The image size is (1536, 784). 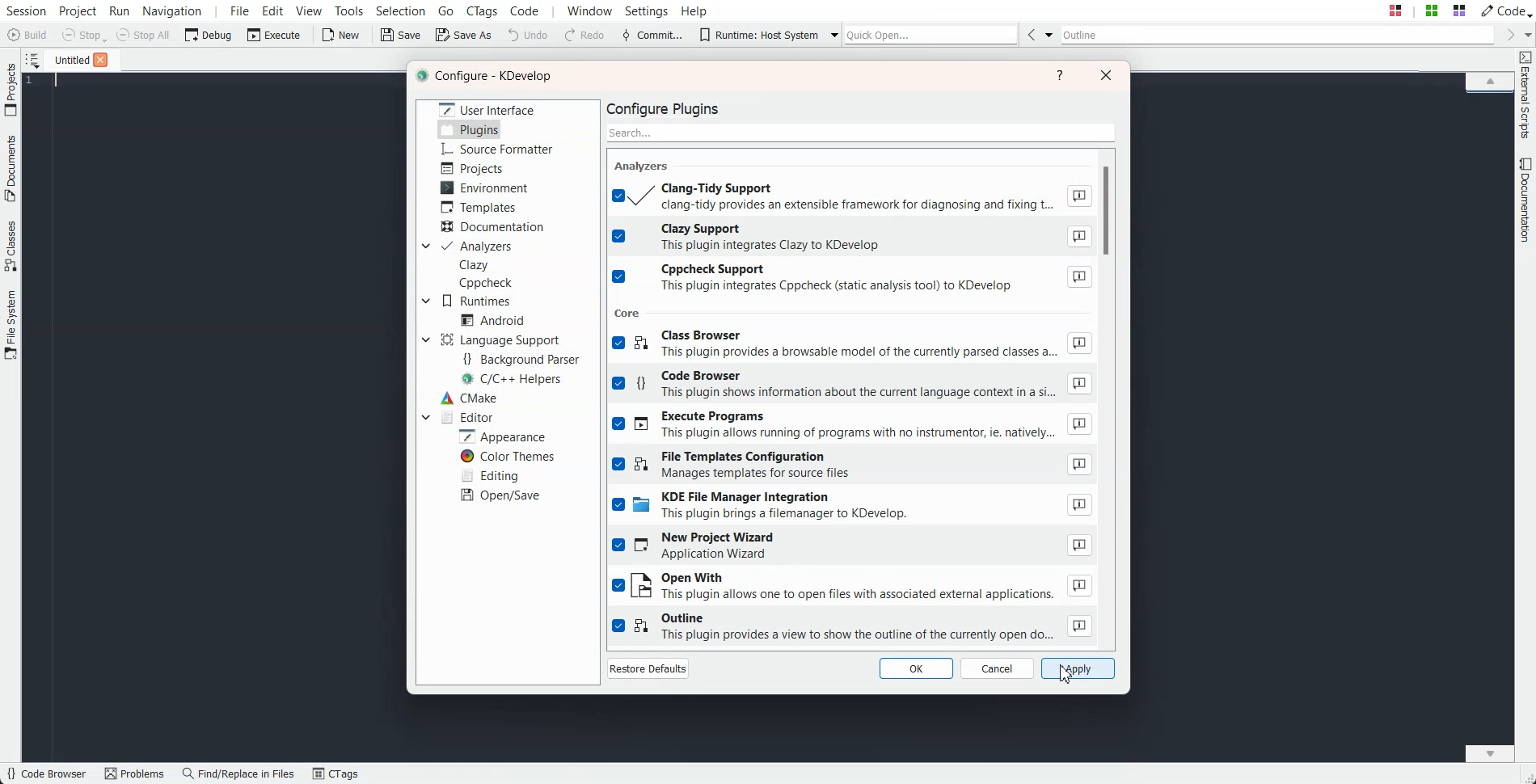 I want to click on Go forward, so click(x=1508, y=35).